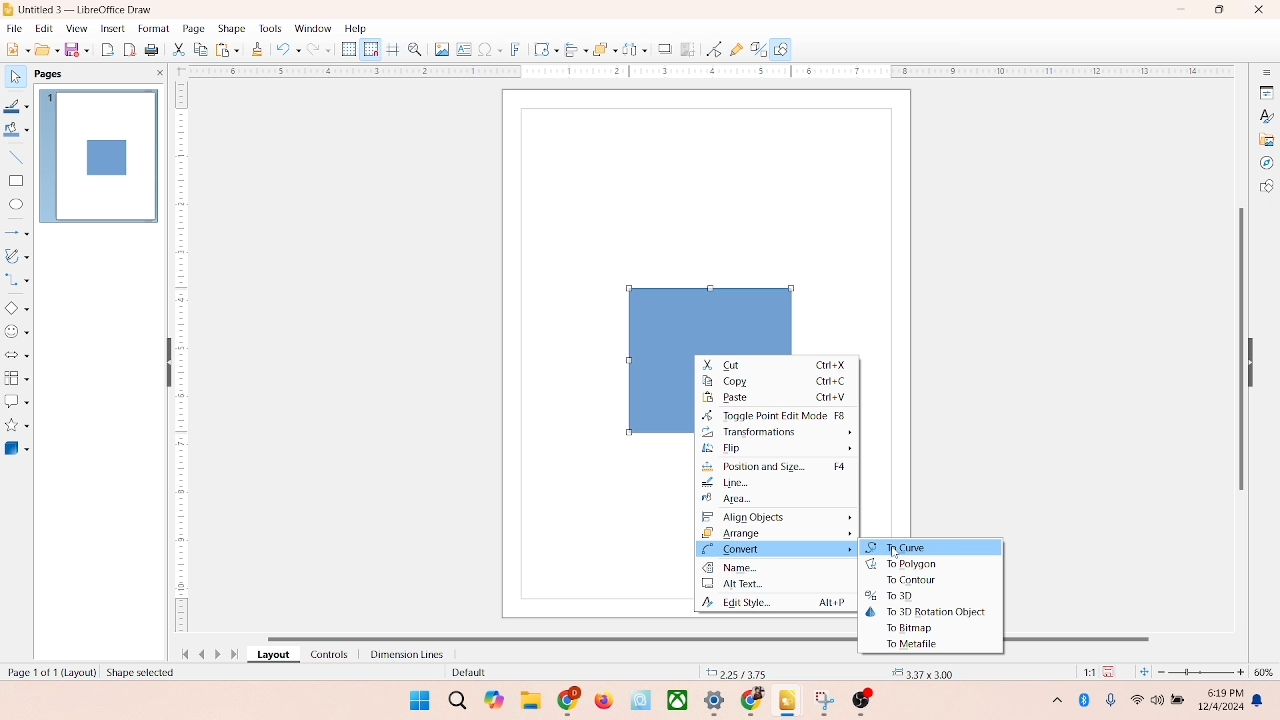 This screenshot has height=720, width=1280. What do you see at coordinates (530, 698) in the screenshot?
I see `folders` at bounding box center [530, 698].